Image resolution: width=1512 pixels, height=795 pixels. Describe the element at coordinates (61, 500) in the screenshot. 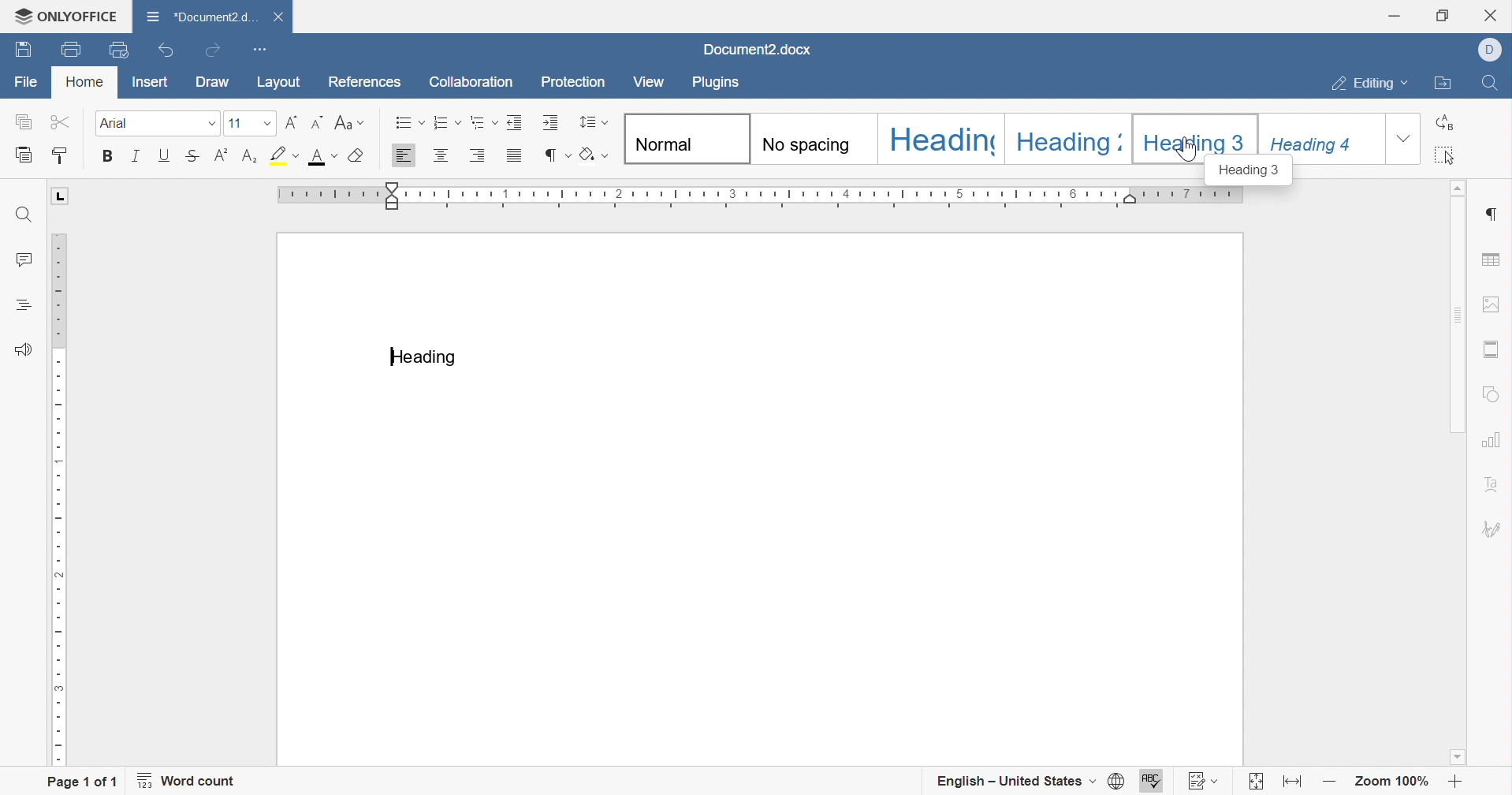

I see `Ruler` at that location.